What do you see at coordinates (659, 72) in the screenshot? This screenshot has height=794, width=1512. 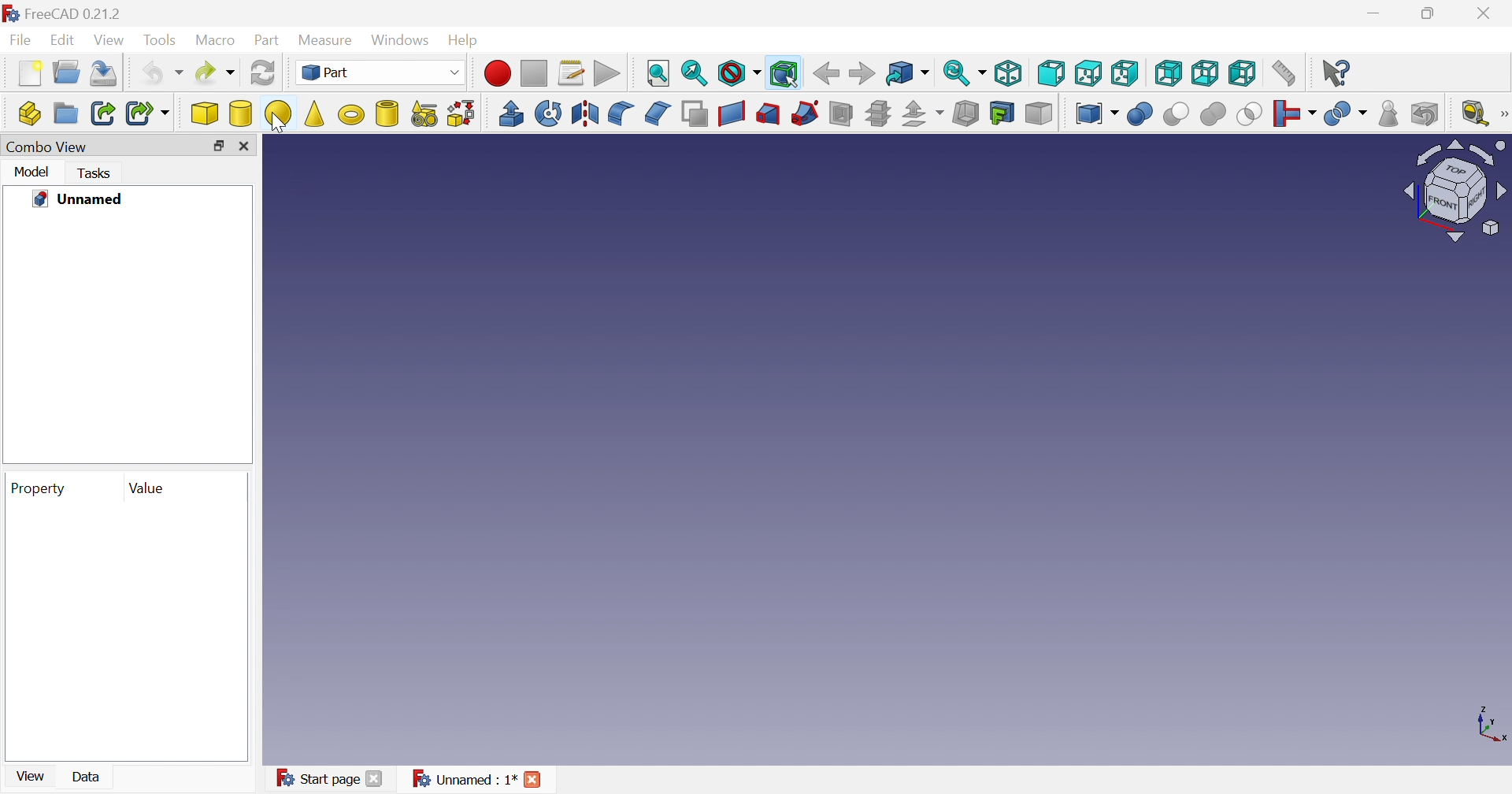 I see `Fit all` at bounding box center [659, 72].